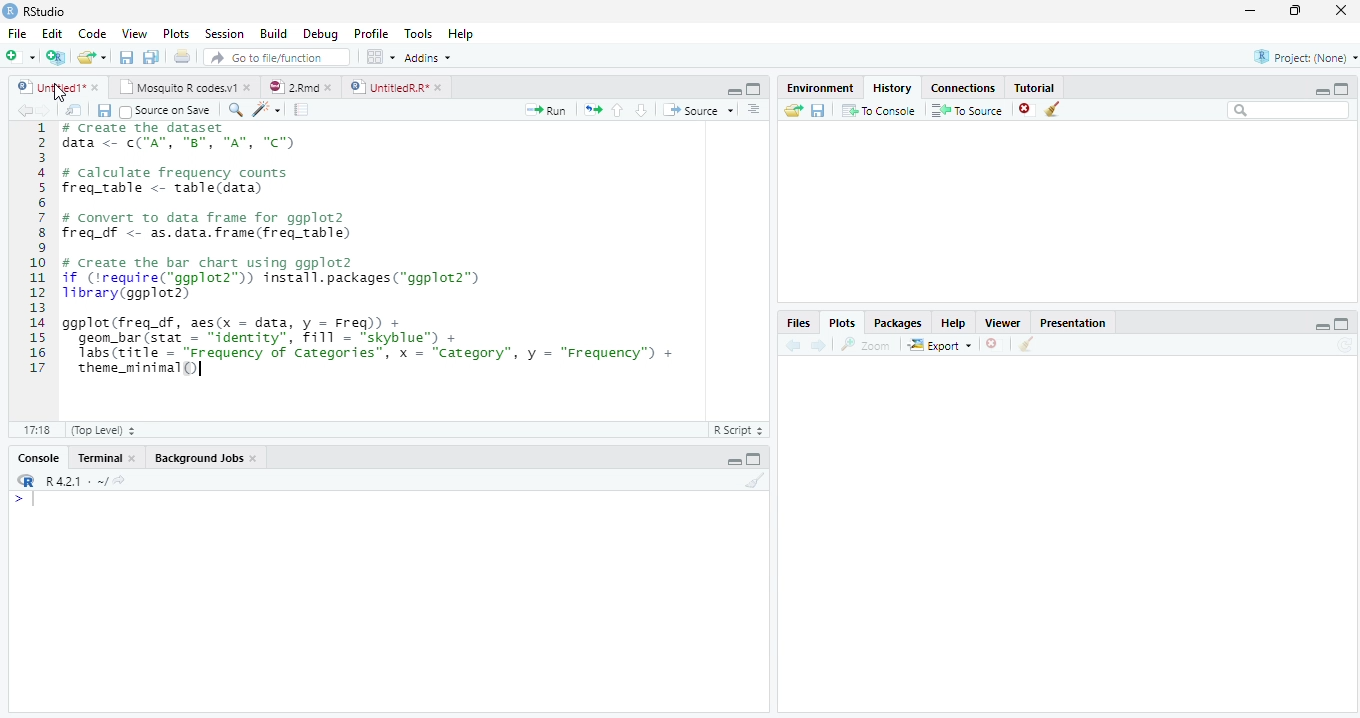  I want to click on Maximize, so click(1297, 13).